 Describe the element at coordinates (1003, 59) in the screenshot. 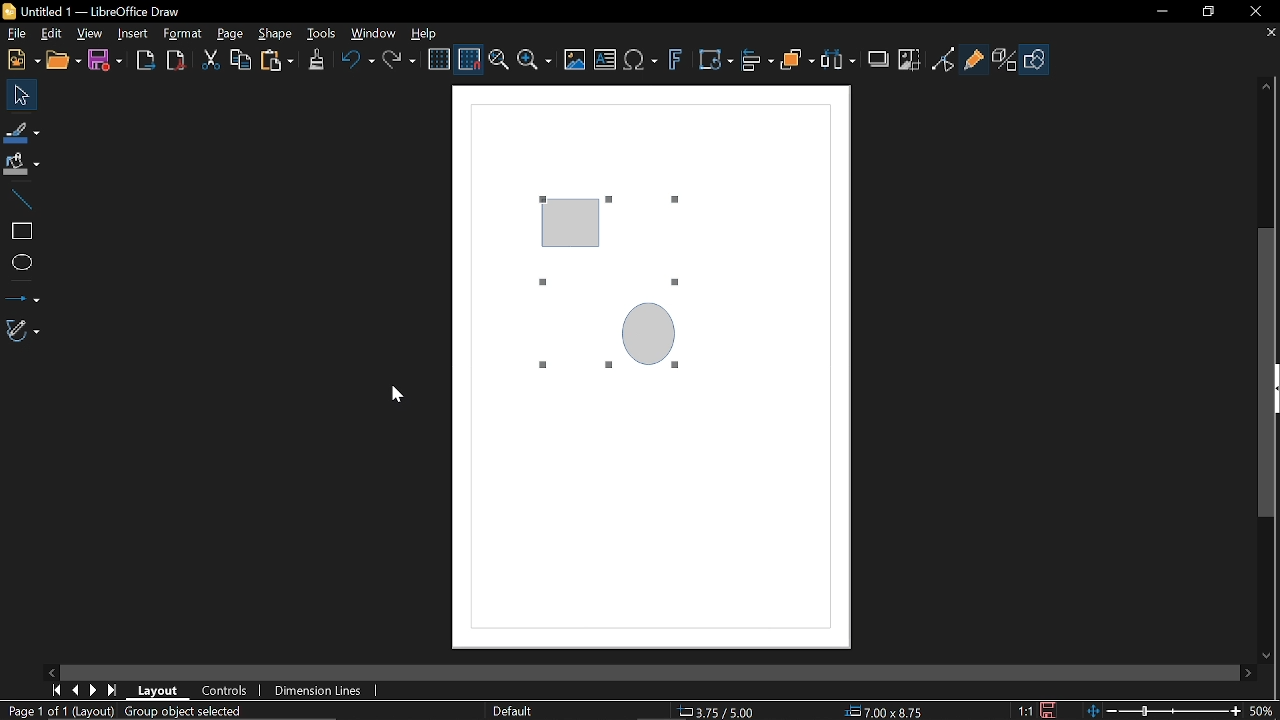

I see `Toggle extrusion` at that location.